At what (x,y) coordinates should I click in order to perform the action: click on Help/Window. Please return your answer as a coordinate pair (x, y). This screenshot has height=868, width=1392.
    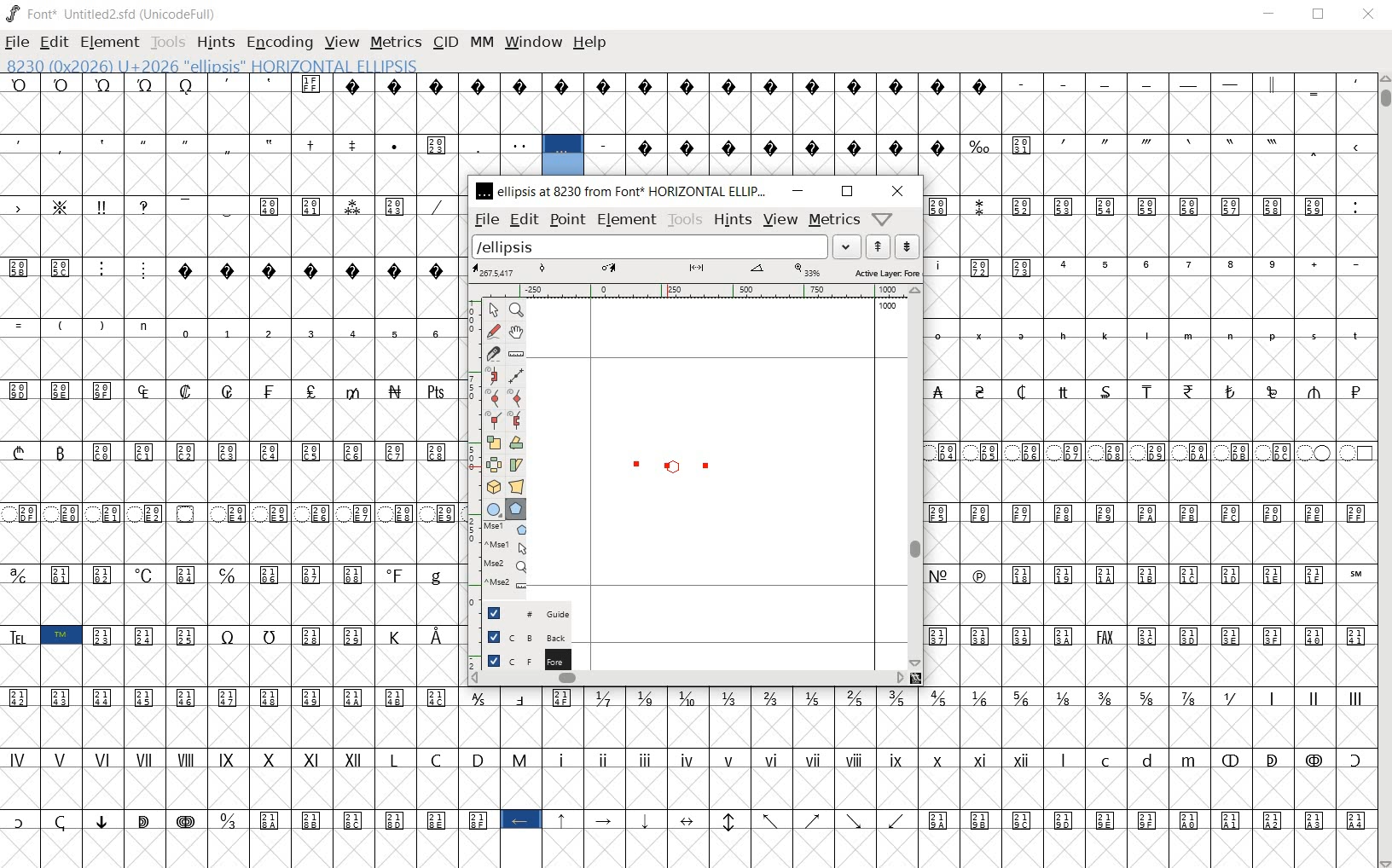
    Looking at the image, I should click on (881, 219).